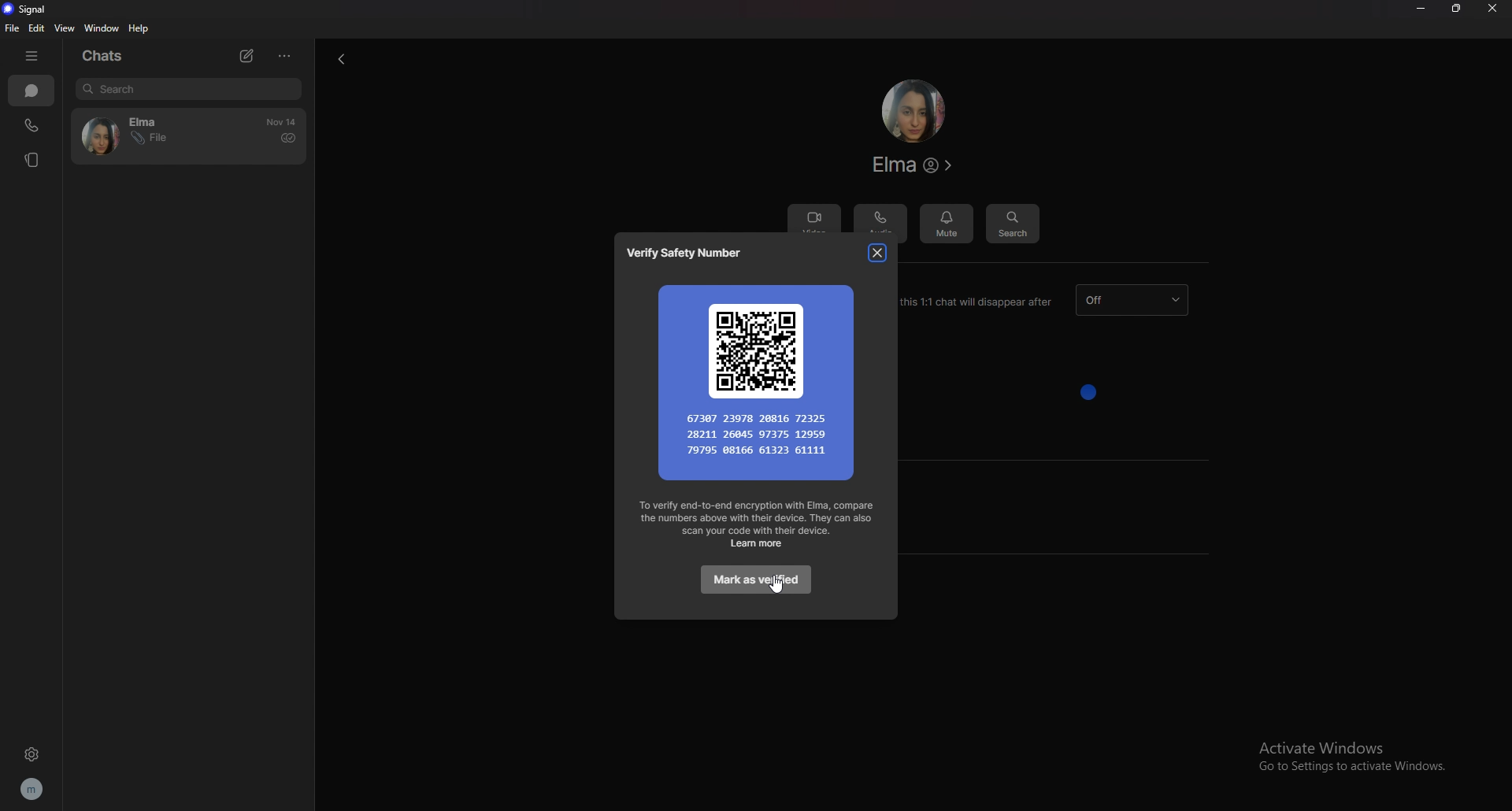  Describe the element at coordinates (39, 28) in the screenshot. I see `edit` at that location.